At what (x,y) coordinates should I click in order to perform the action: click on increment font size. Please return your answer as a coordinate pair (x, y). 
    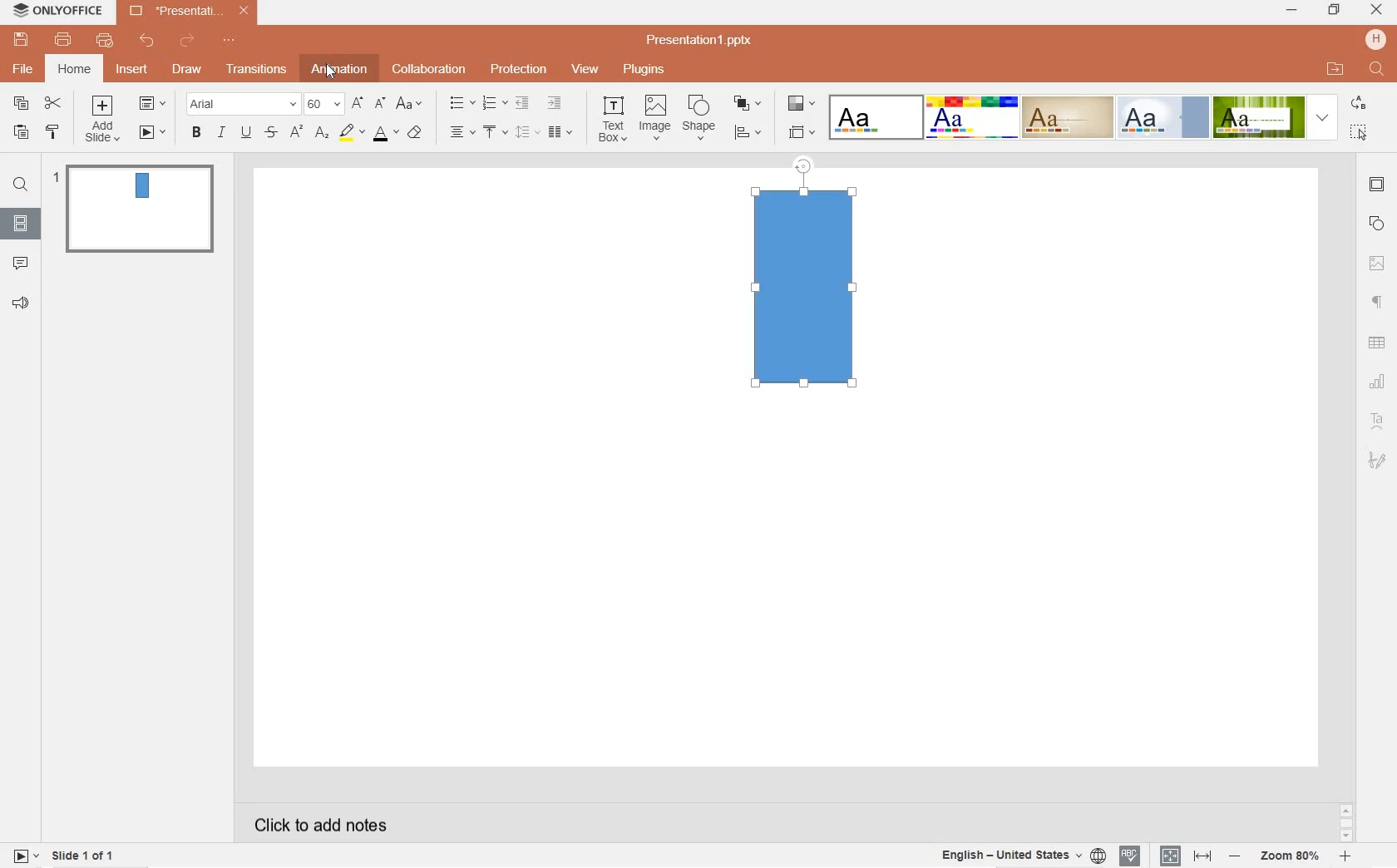
    Looking at the image, I should click on (358, 103).